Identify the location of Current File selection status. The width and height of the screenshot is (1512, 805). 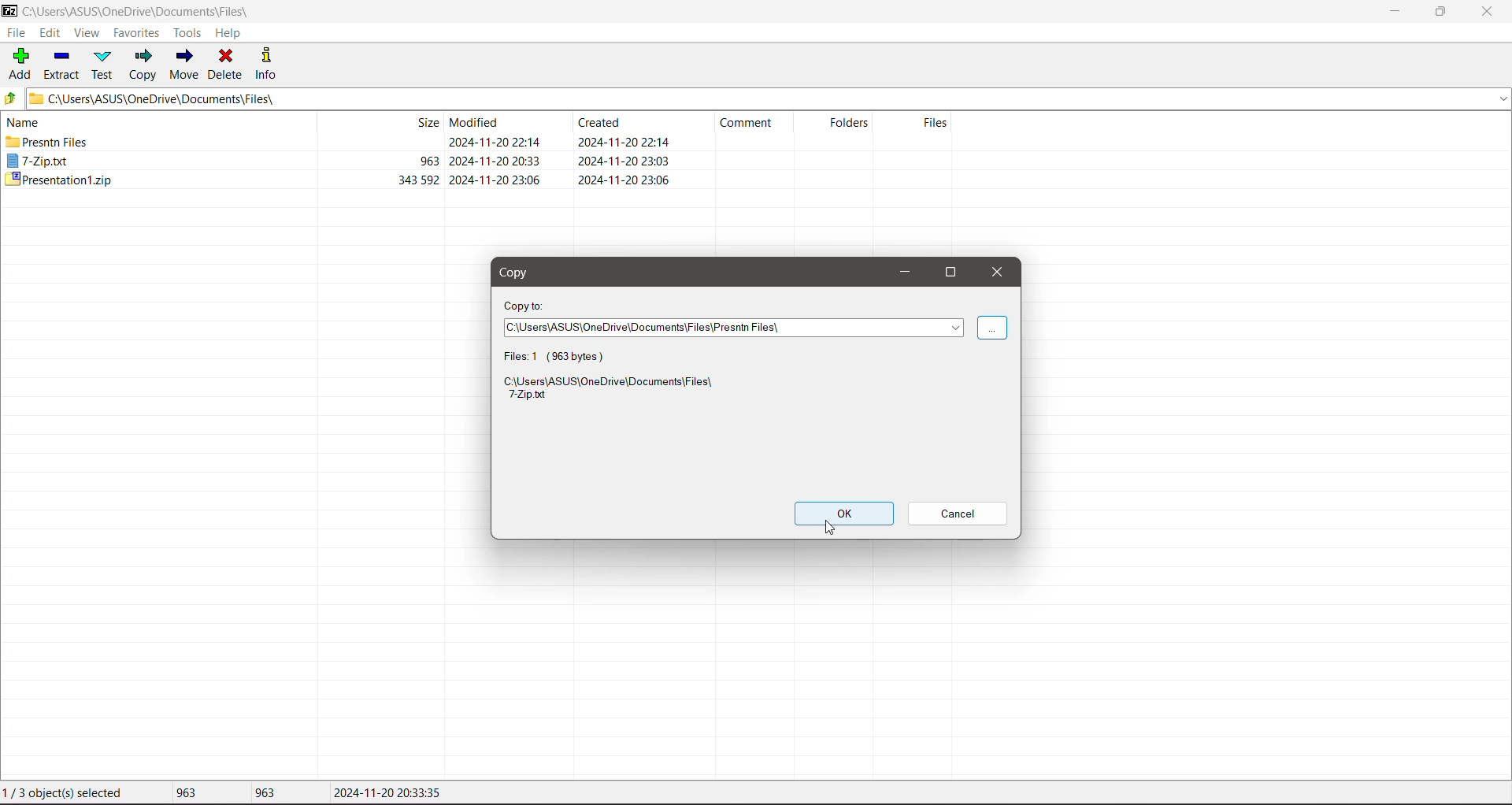
(66, 793).